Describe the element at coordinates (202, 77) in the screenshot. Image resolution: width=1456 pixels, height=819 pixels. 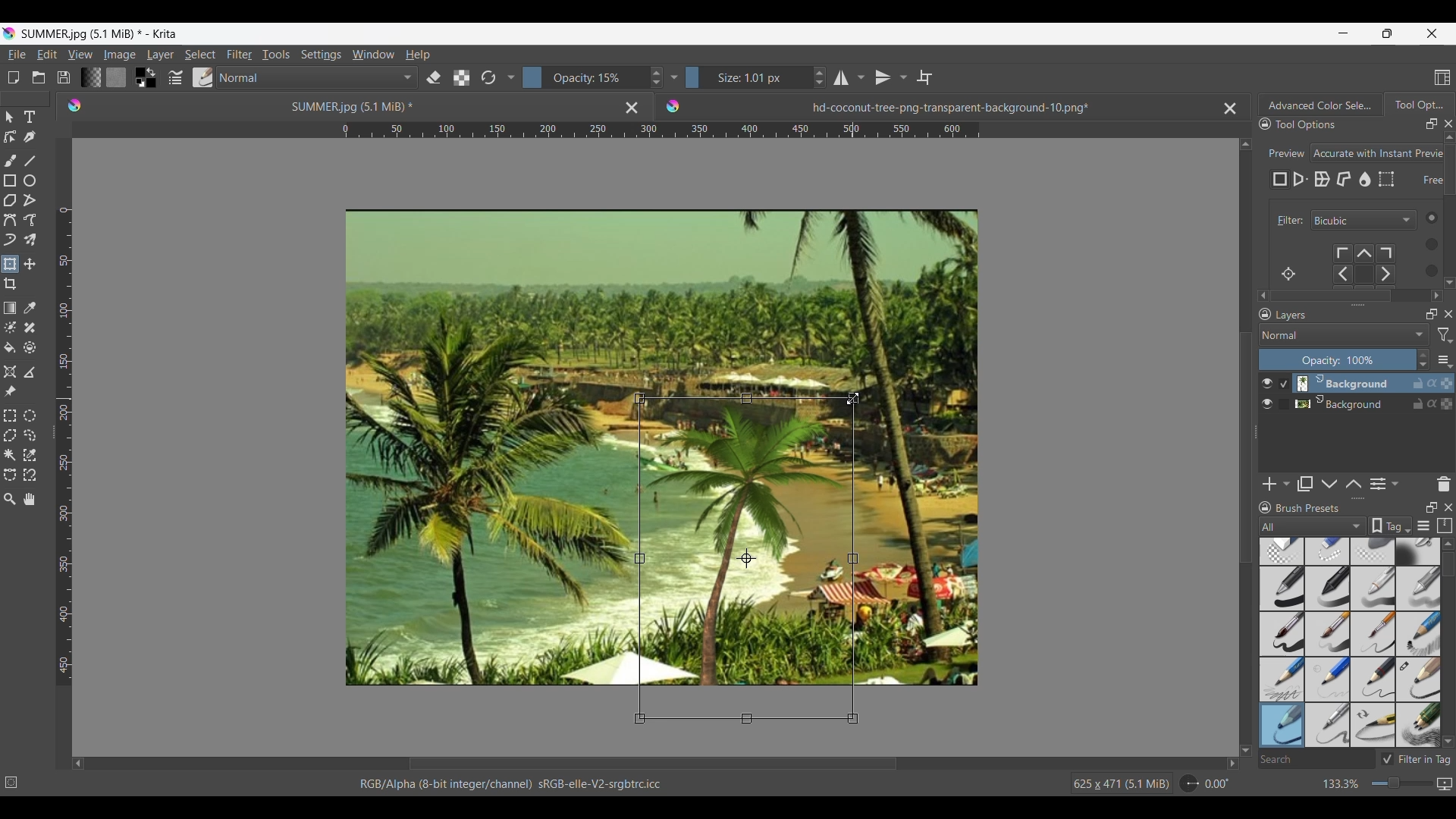
I see `Choose brush preset` at that location.